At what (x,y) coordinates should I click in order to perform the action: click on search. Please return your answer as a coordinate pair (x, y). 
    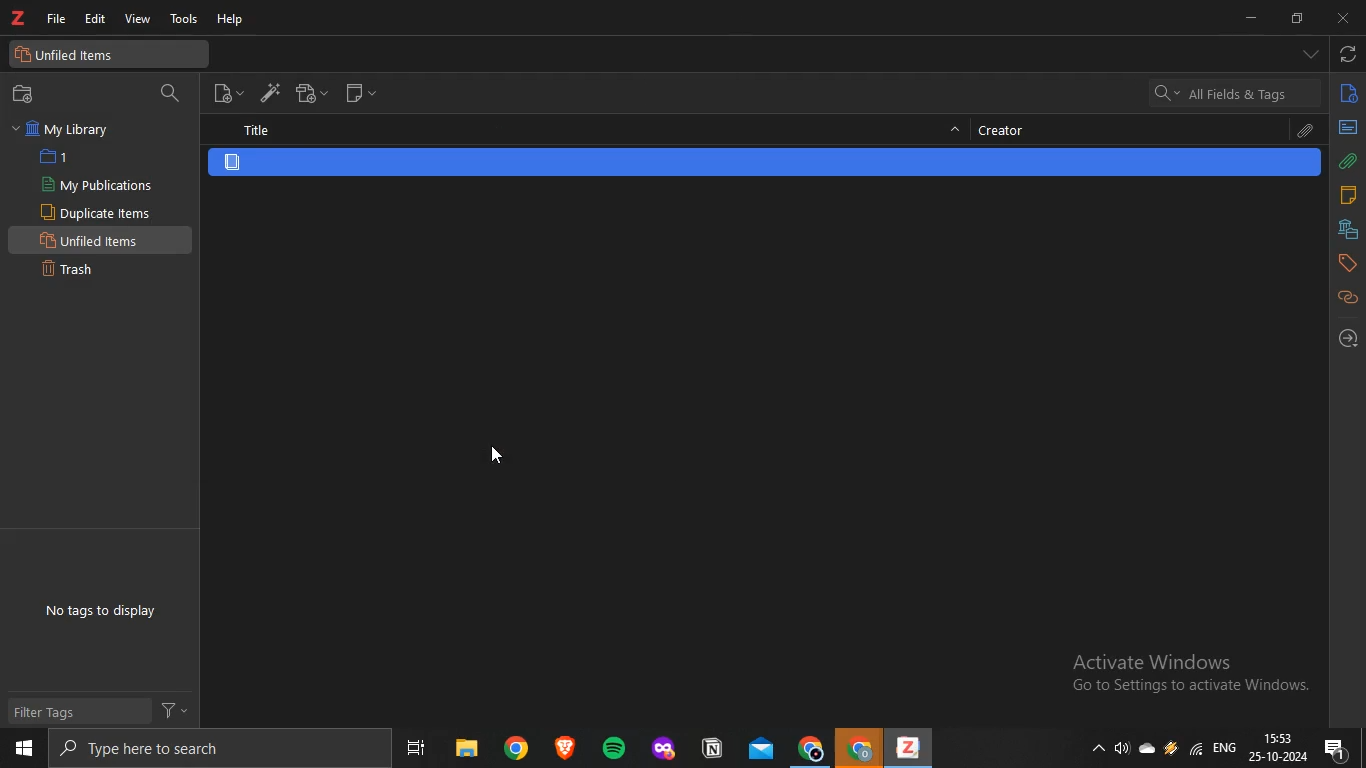
    Looking at the image, I should click on (210, 748).